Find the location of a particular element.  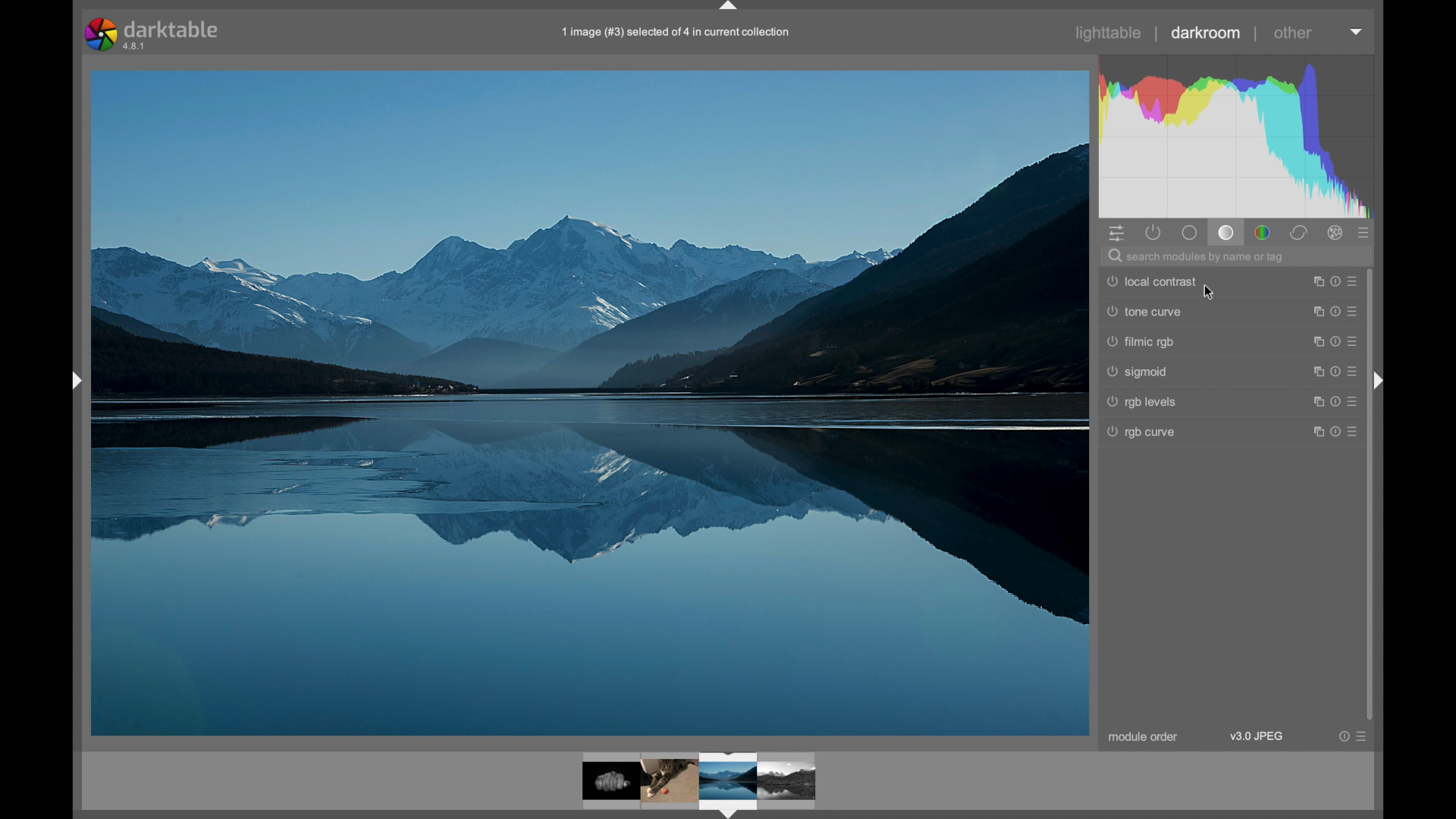

darkroom is located at coordinates (1207, 33).